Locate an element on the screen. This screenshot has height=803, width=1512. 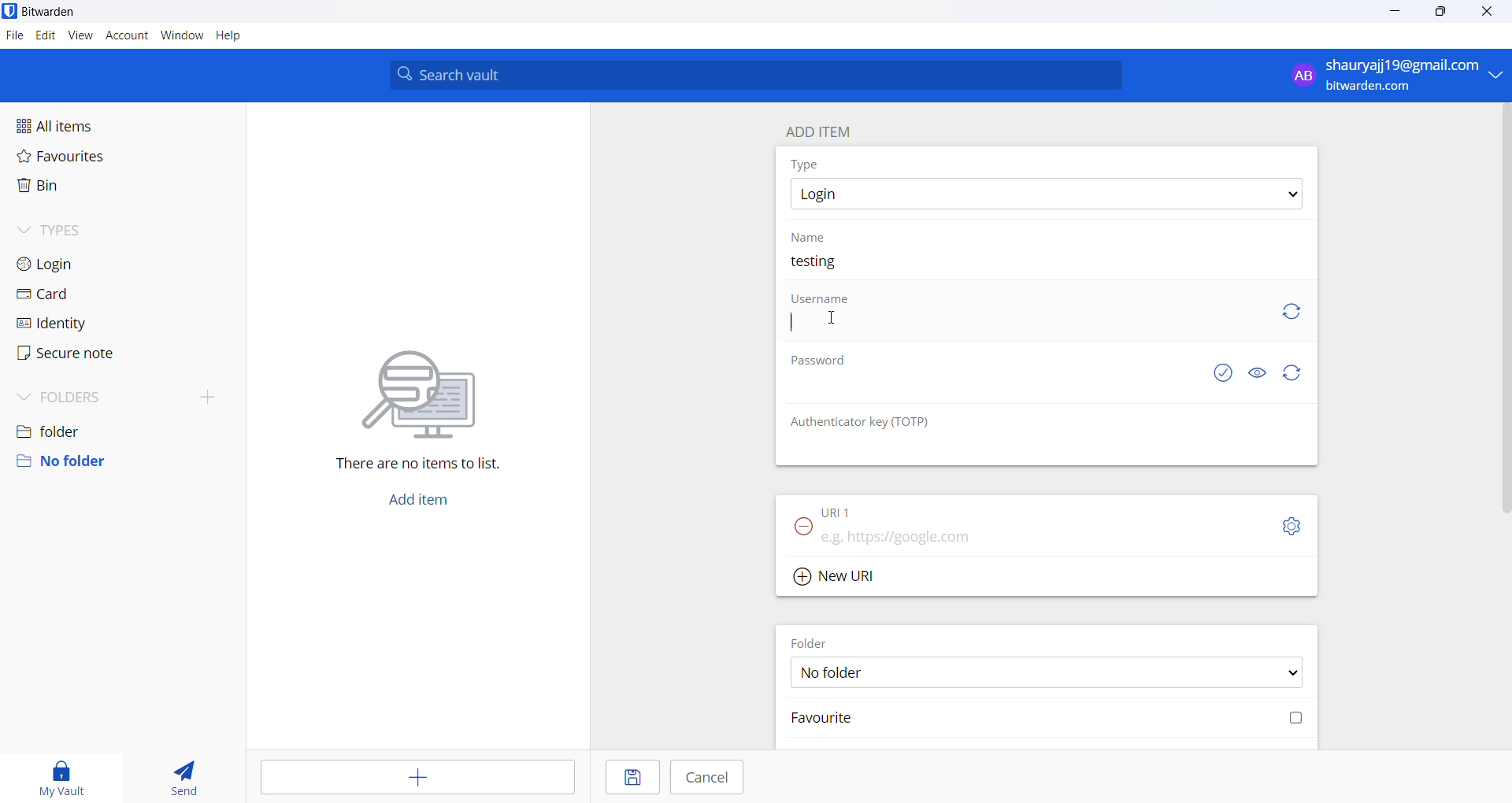
OTP heading: Authenticator key (TOTP) is located at coordinates (865, 422).